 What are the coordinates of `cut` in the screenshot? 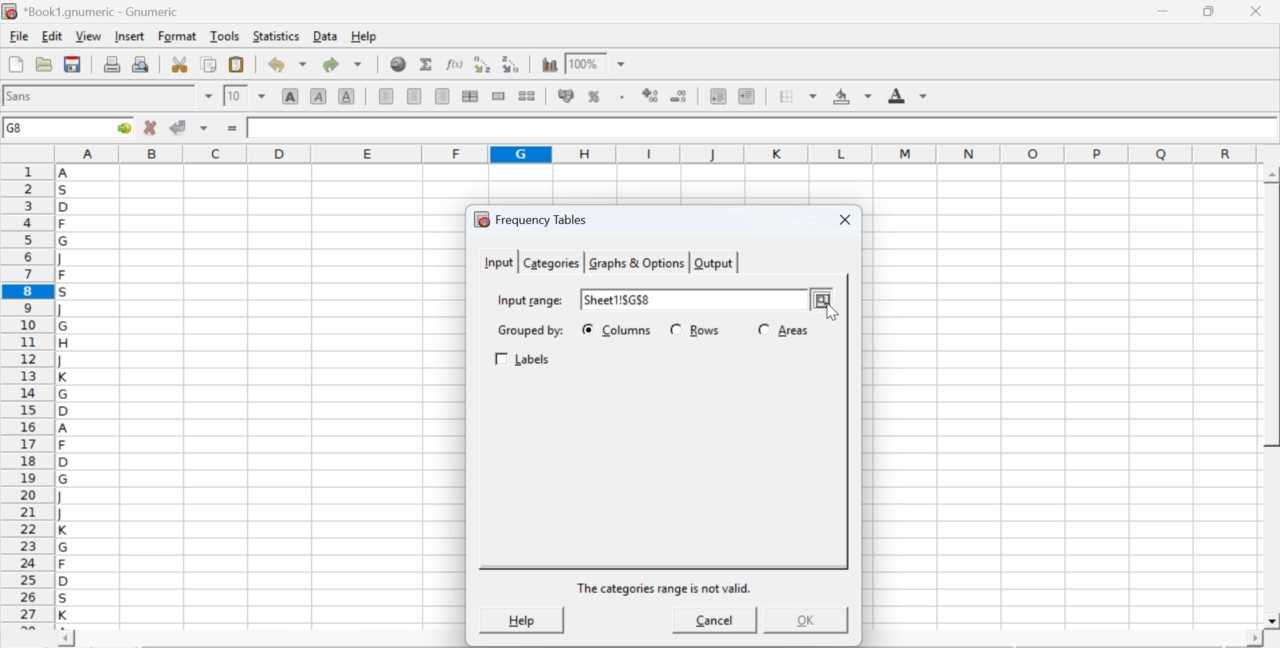 It's located at (179, 64).